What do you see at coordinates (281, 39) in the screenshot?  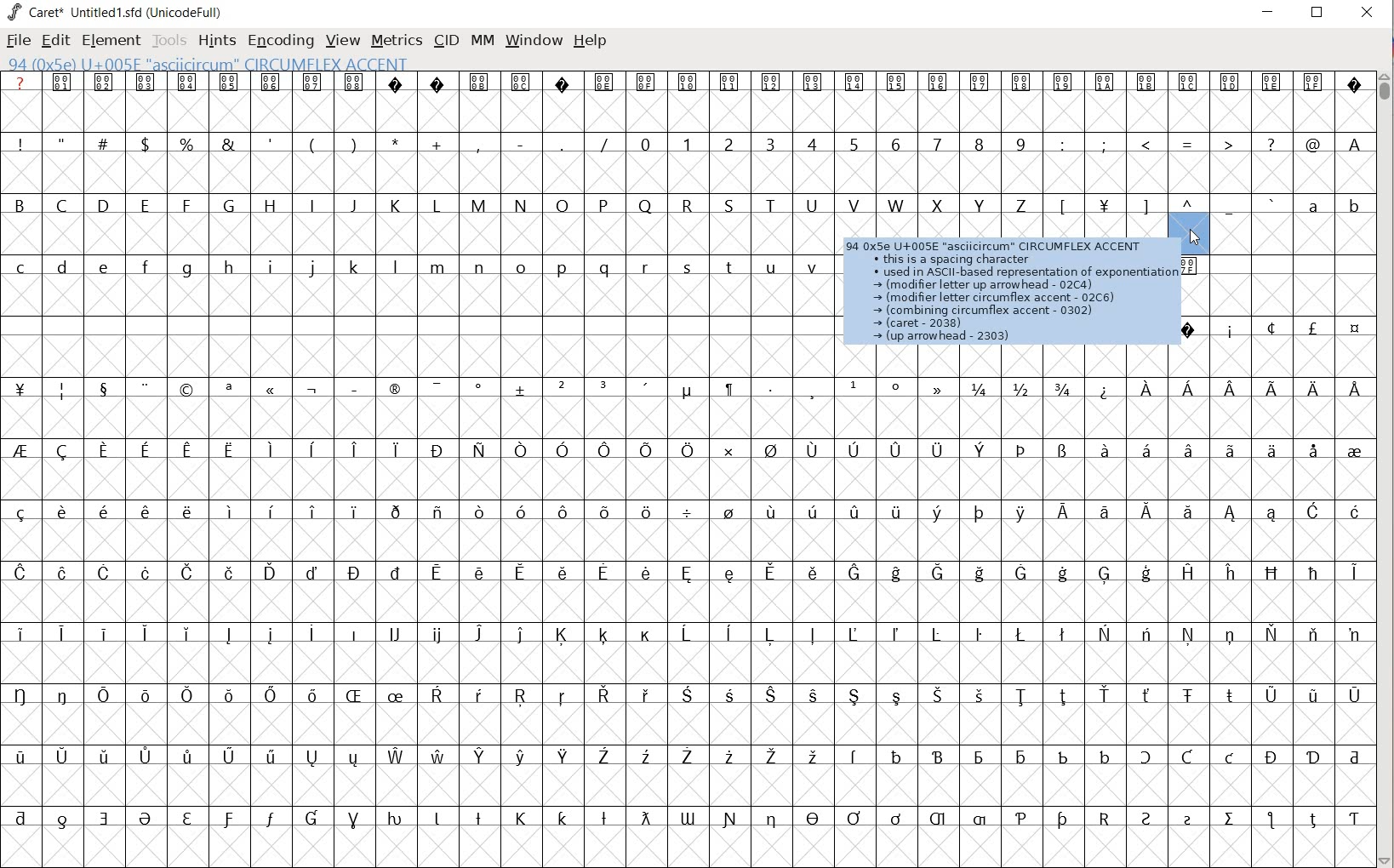 I see `ENCODING` at bounding box center [281, 39].